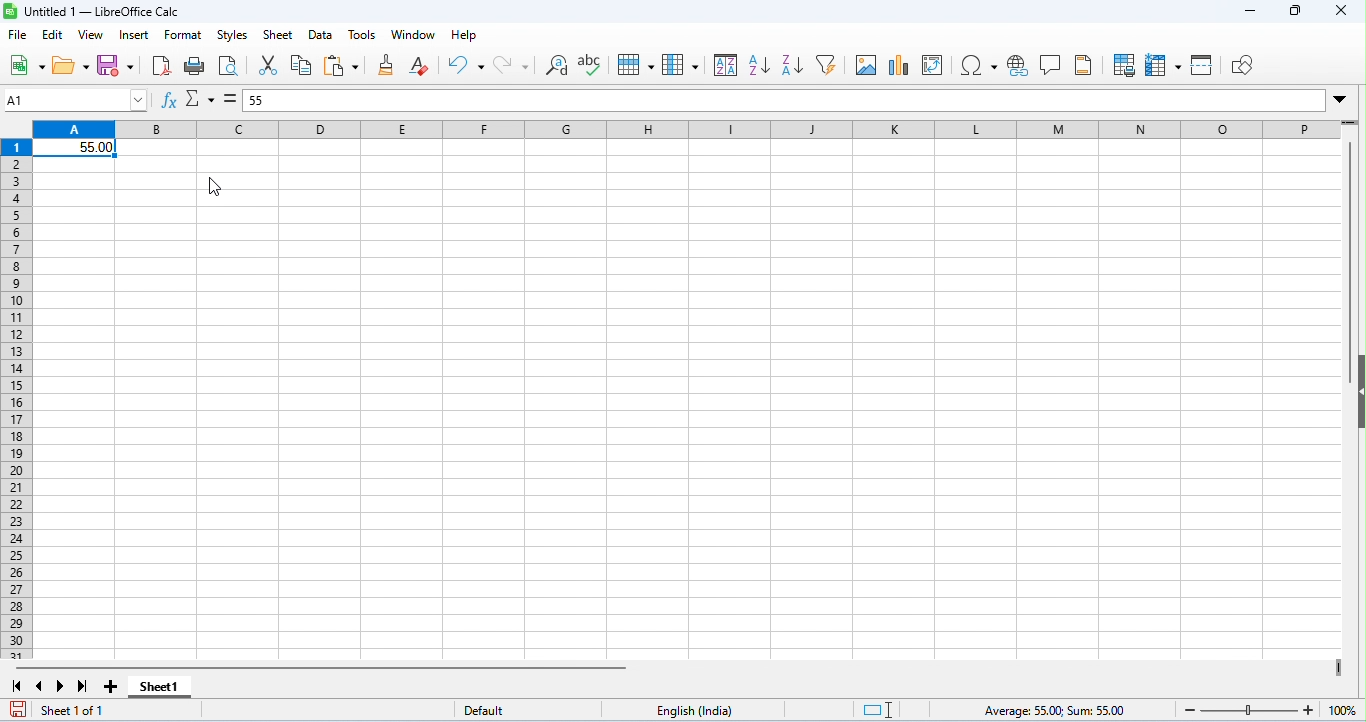 Image resolution: width=1366 pixels, height=722 pixels. What do you see at coordinates (1340, 11) in the screenshot?
I see `close` at bounding box center [1340, 11].